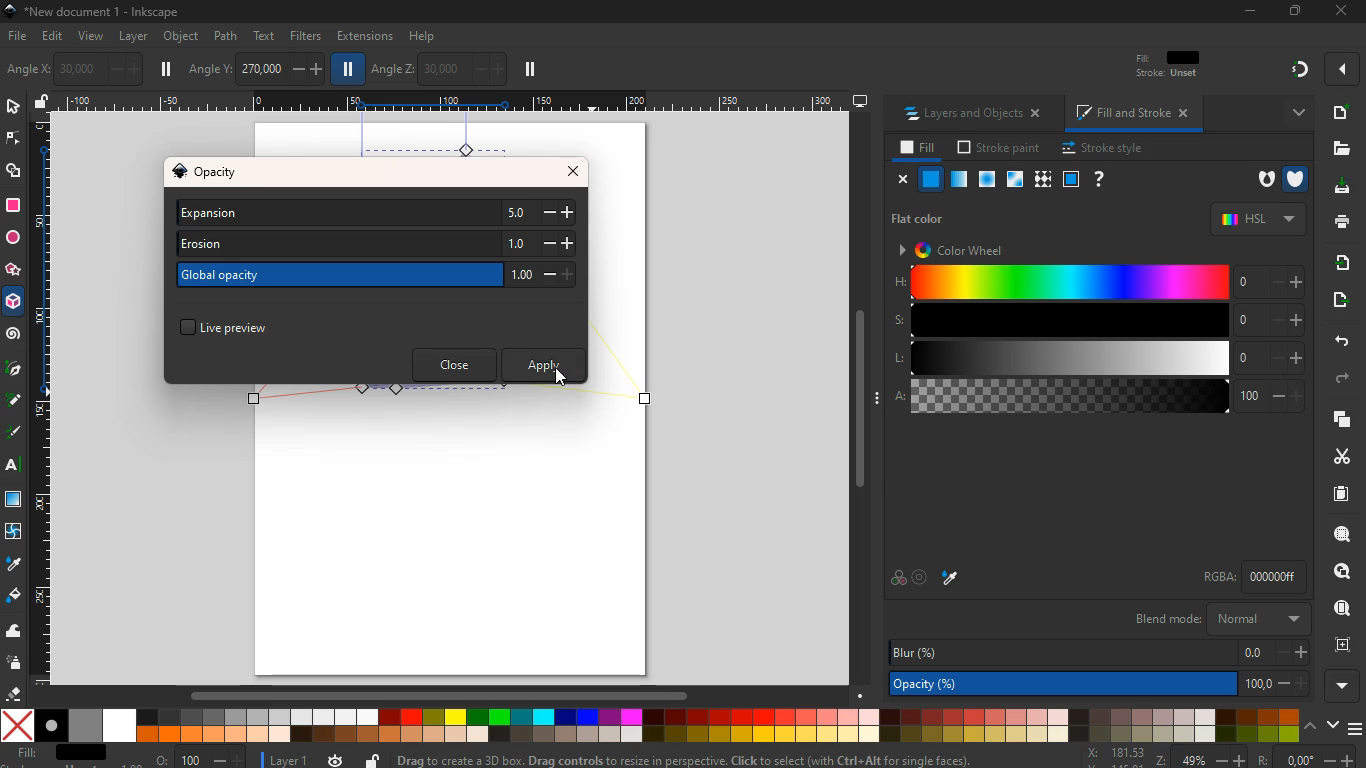  I want to click on down, so click(1332, 726).